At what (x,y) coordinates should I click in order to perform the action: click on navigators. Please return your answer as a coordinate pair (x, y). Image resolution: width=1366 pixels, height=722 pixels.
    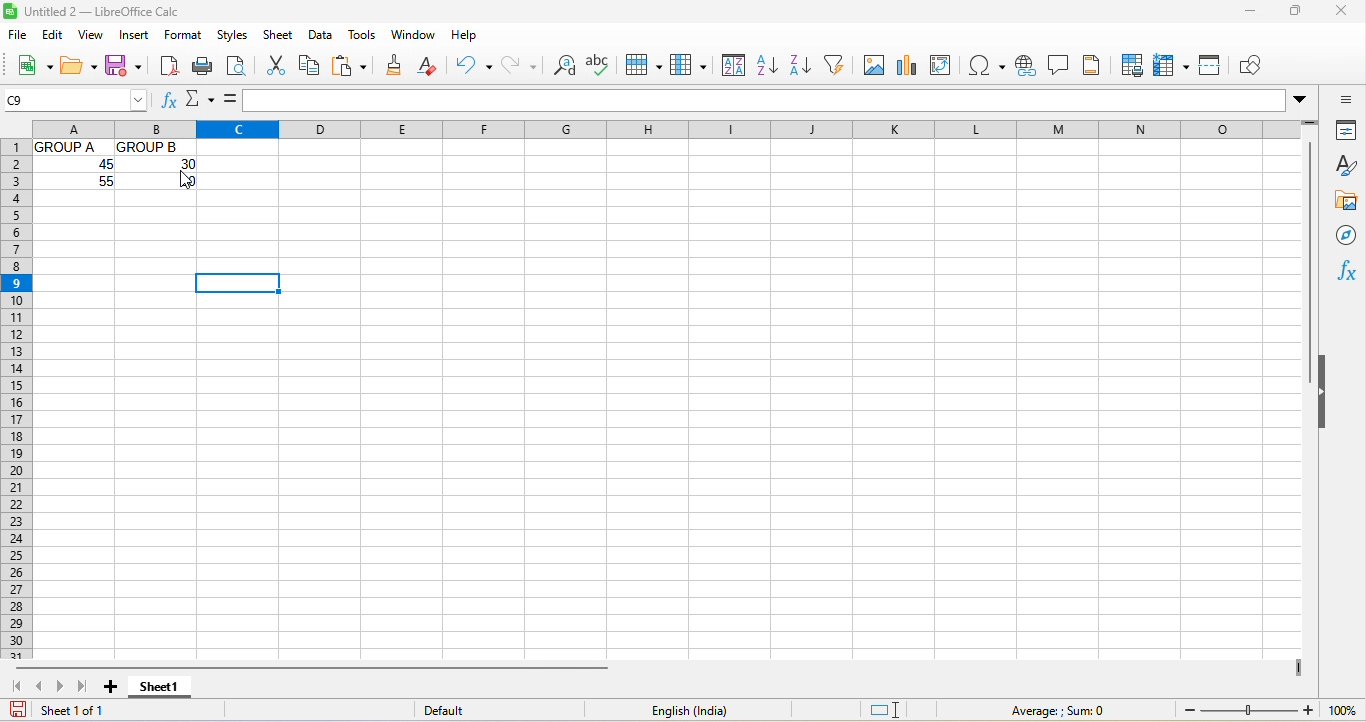
    Looking at the image, I should click on (1347, 235).